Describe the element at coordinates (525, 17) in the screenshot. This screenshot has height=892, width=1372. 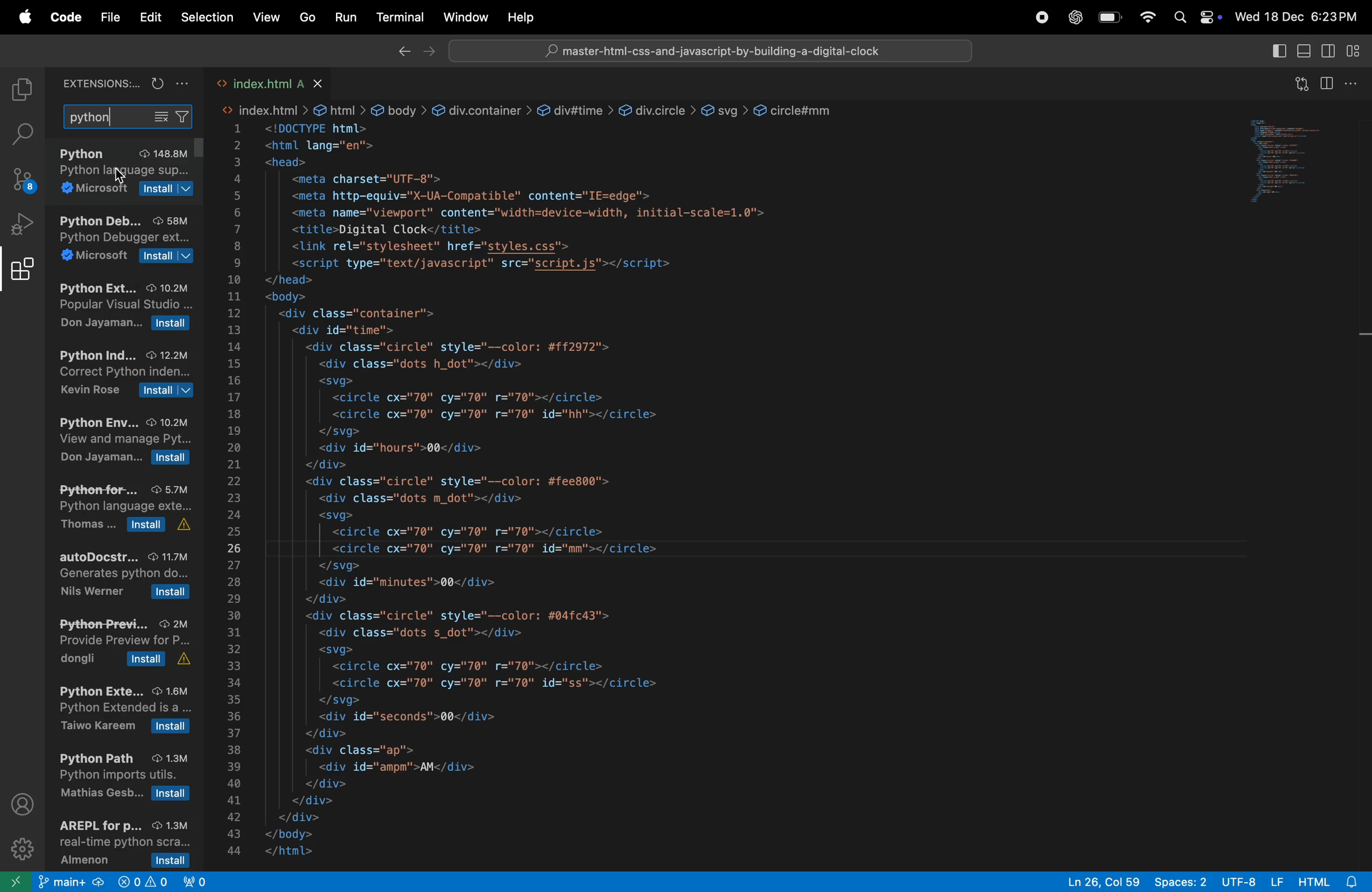
I see `help` at that location.